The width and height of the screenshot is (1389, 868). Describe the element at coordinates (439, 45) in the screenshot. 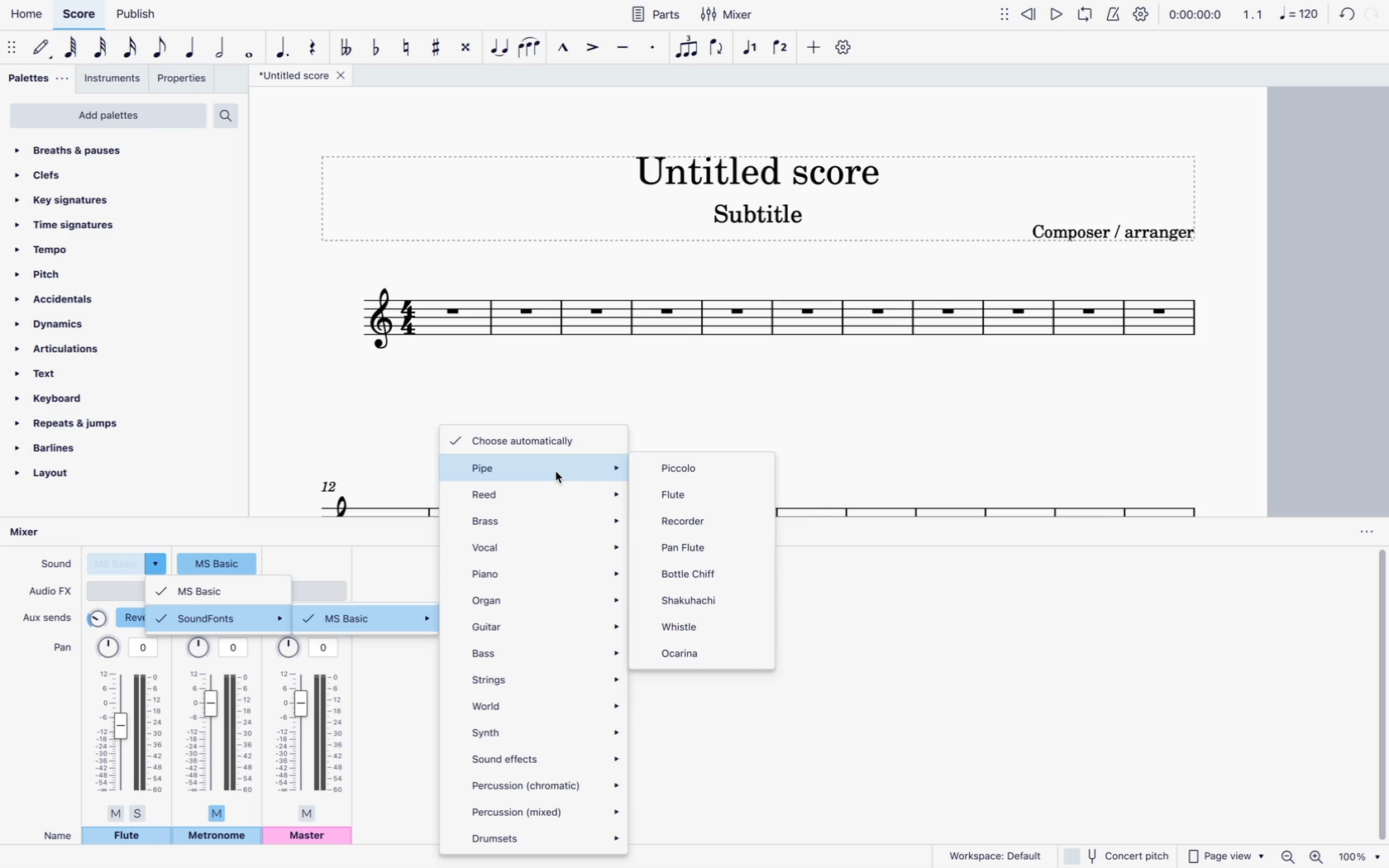

I see `toggle sharp` at that location.